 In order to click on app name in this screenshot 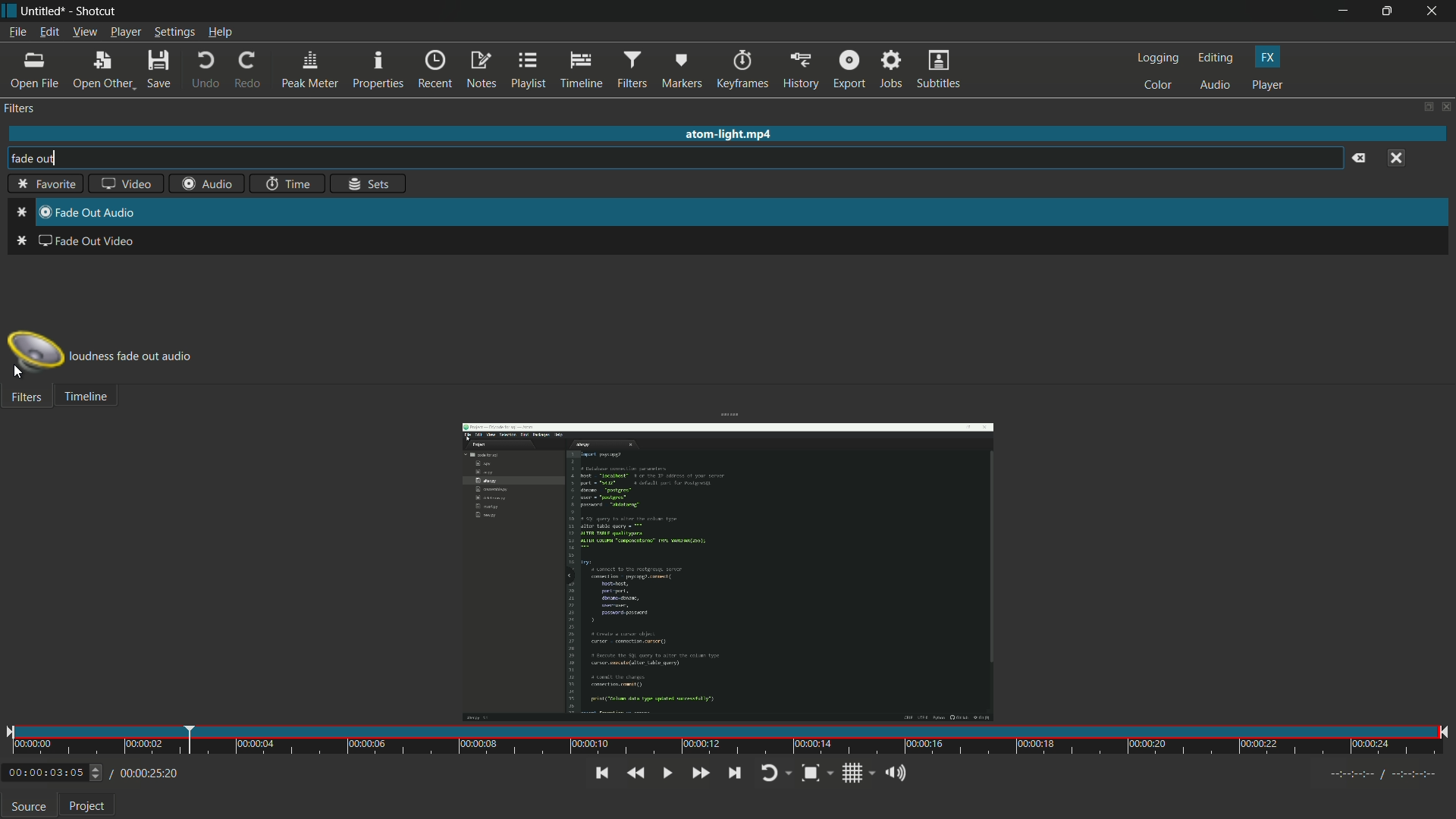, I will do `click(98, 11)`.